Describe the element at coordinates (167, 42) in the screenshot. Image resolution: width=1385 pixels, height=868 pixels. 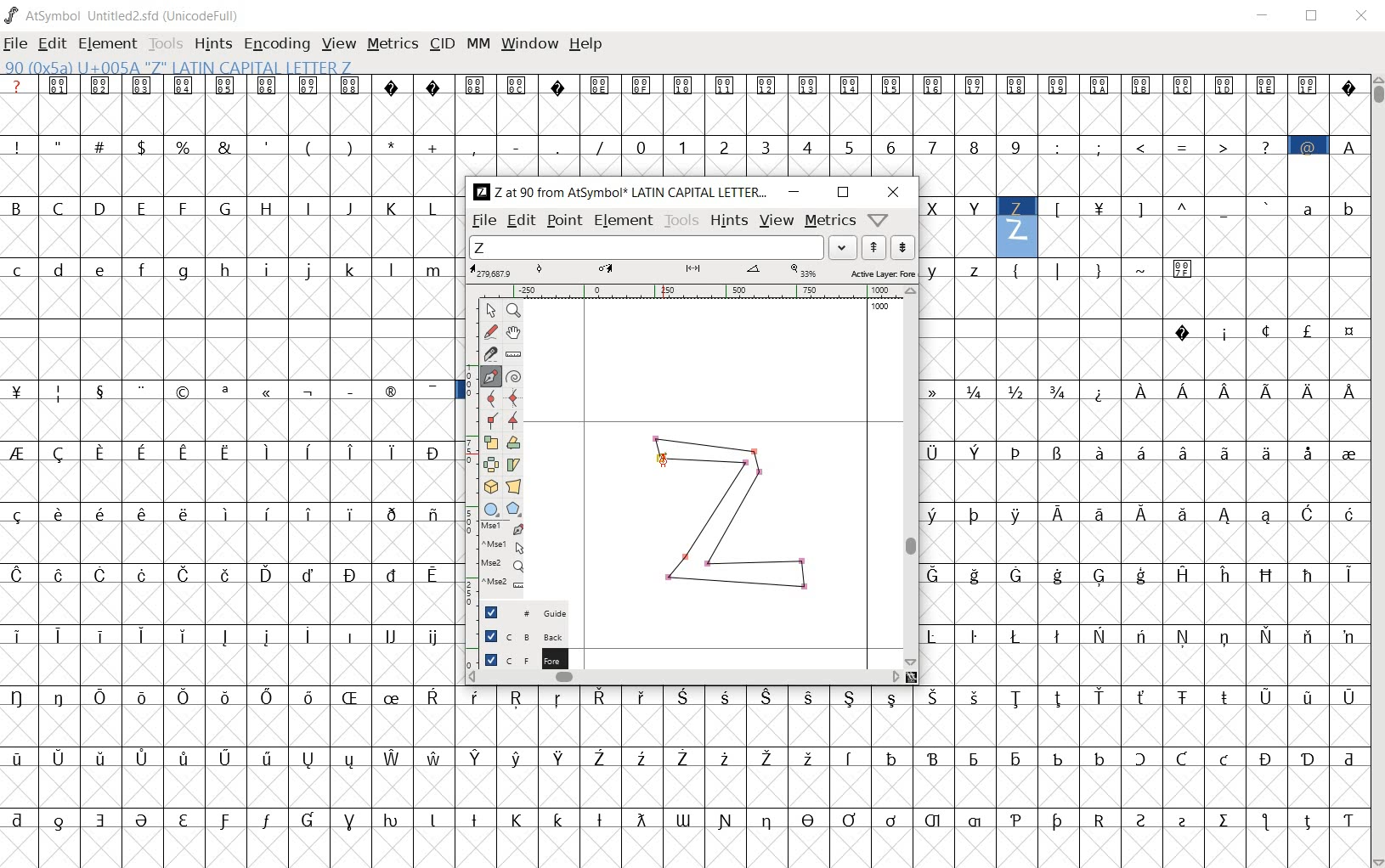
I see `tools` at that location.